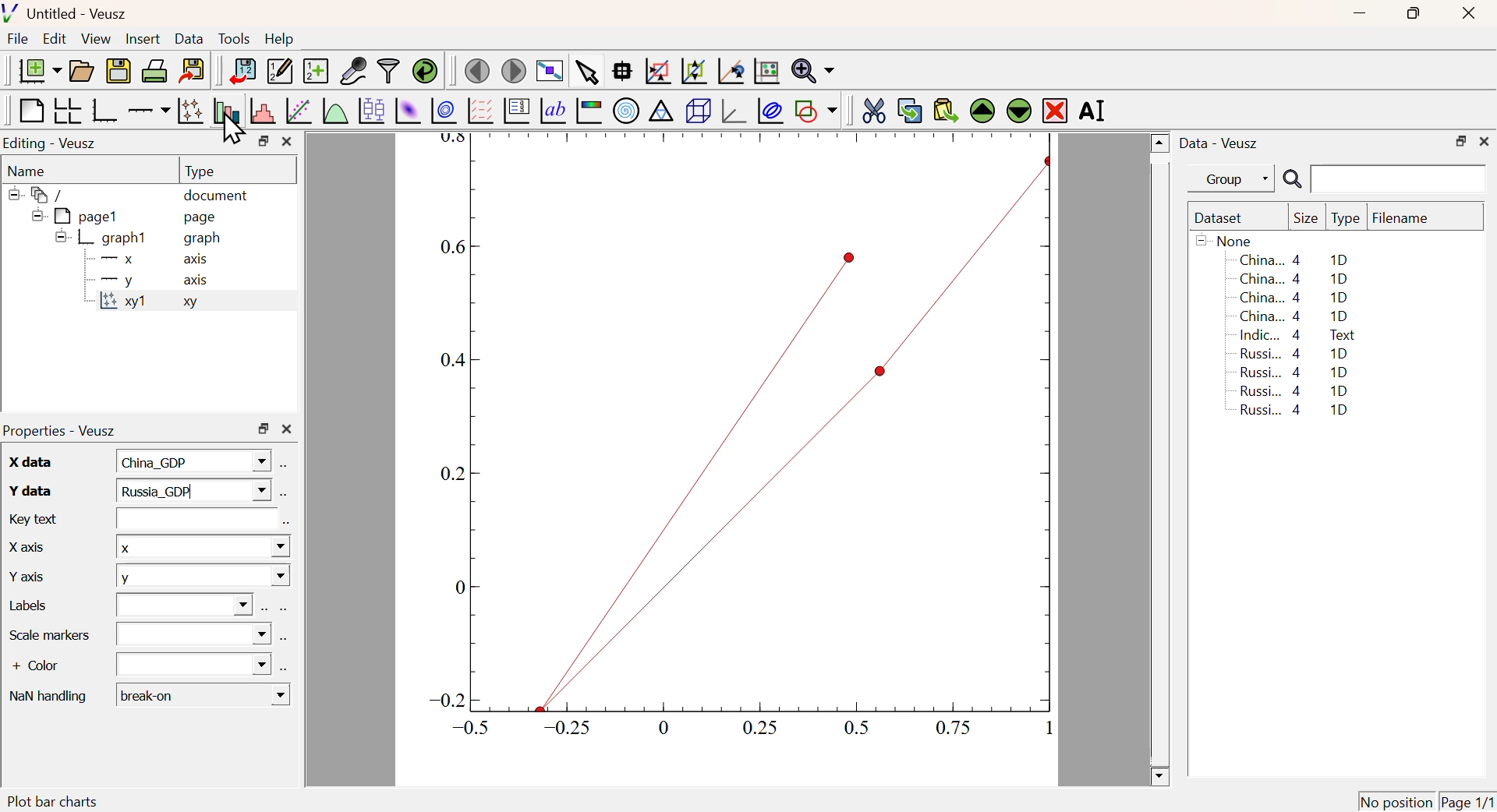 This screenshot has height=812, width=1497. What do you see at coordinates (1222, 144) in the screenshot?
I see `Data - Veusz` at bounding box center [1222, 144].